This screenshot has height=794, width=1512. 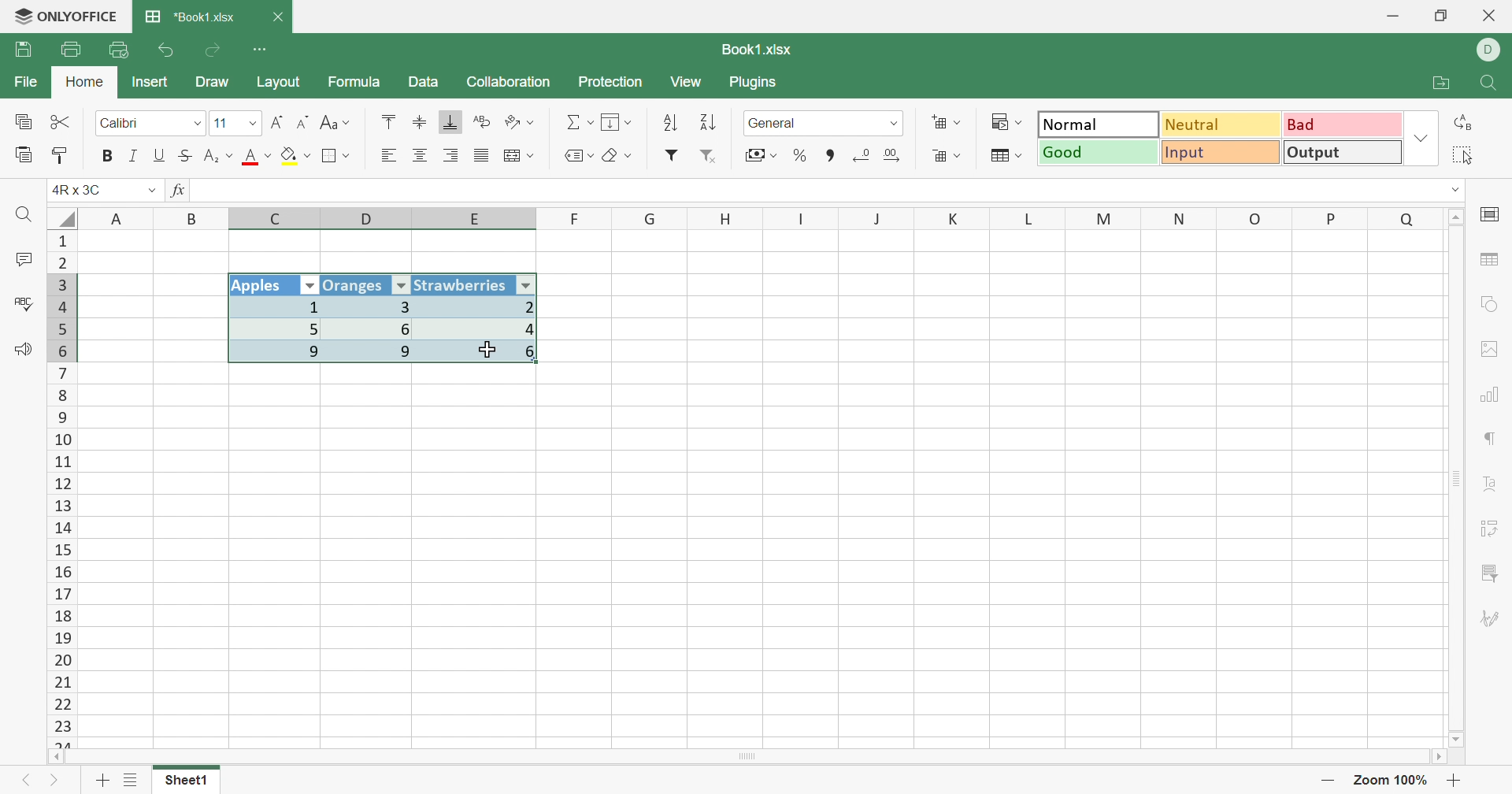 What do you see at coordinates (1443, 16) in the screenshot?
I see `Restore Down` at bounding box center [1443, 16].